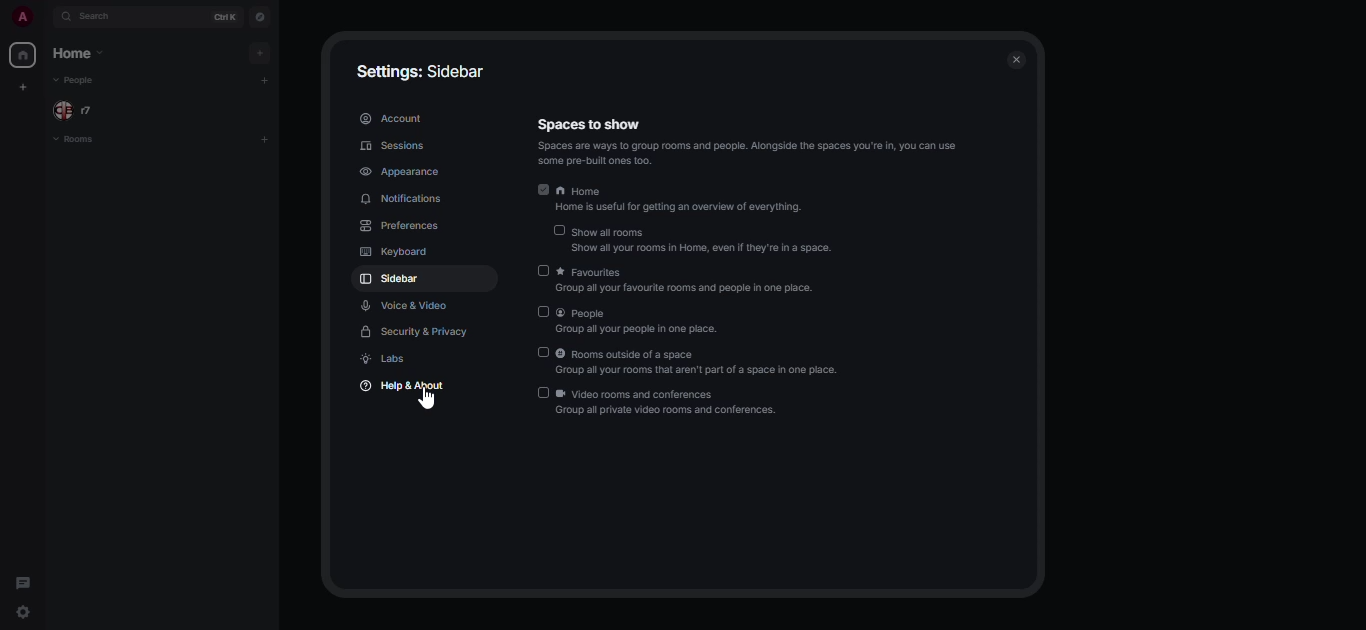 This screenshot has width=1366, height=630. I want to click on profile, so click(25, 16).